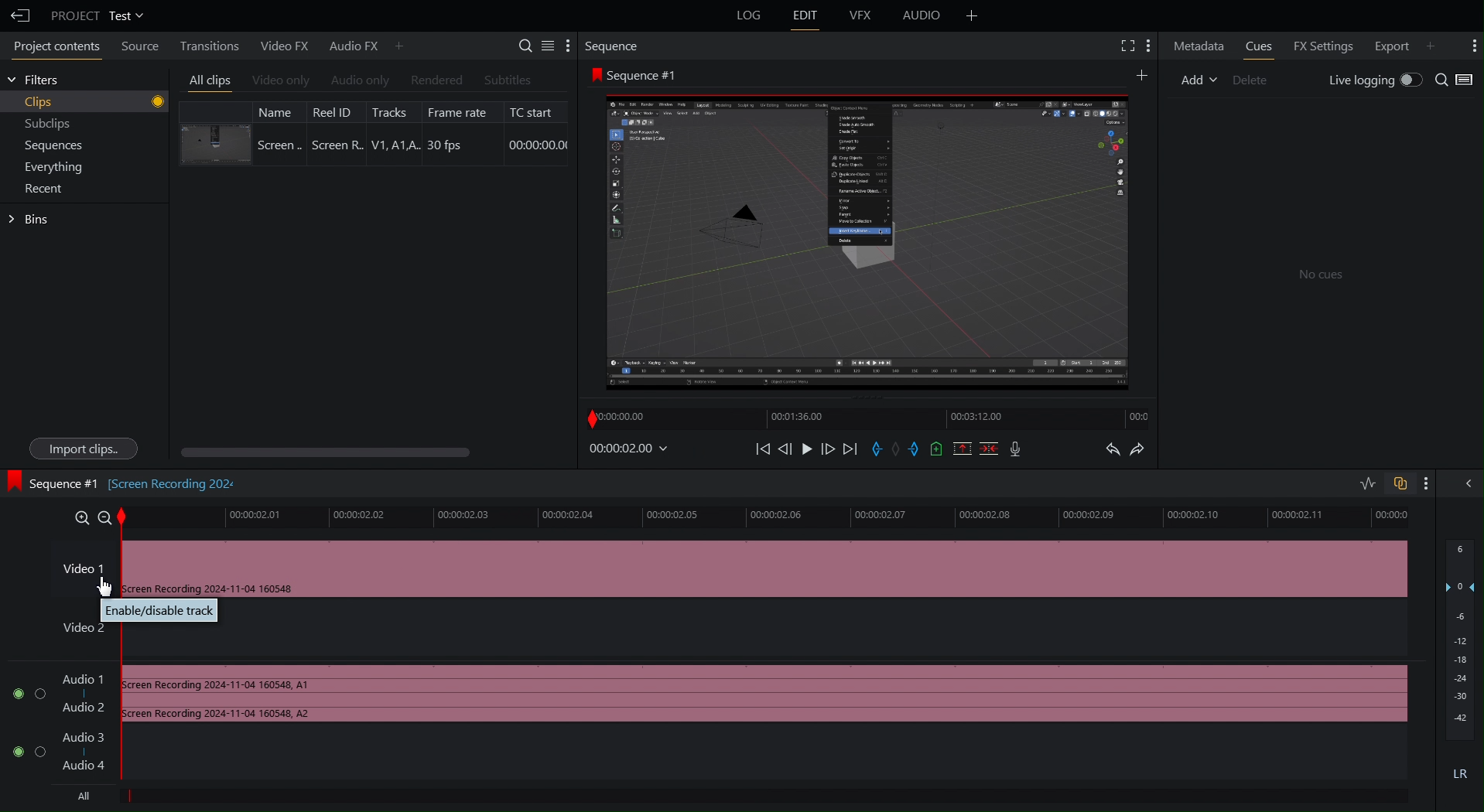 This screenshot has height=812, width=1484. What do you see at coordinates (616, 47) in the screenshot?
I see `Sequence` at bounding box center [616, 47].